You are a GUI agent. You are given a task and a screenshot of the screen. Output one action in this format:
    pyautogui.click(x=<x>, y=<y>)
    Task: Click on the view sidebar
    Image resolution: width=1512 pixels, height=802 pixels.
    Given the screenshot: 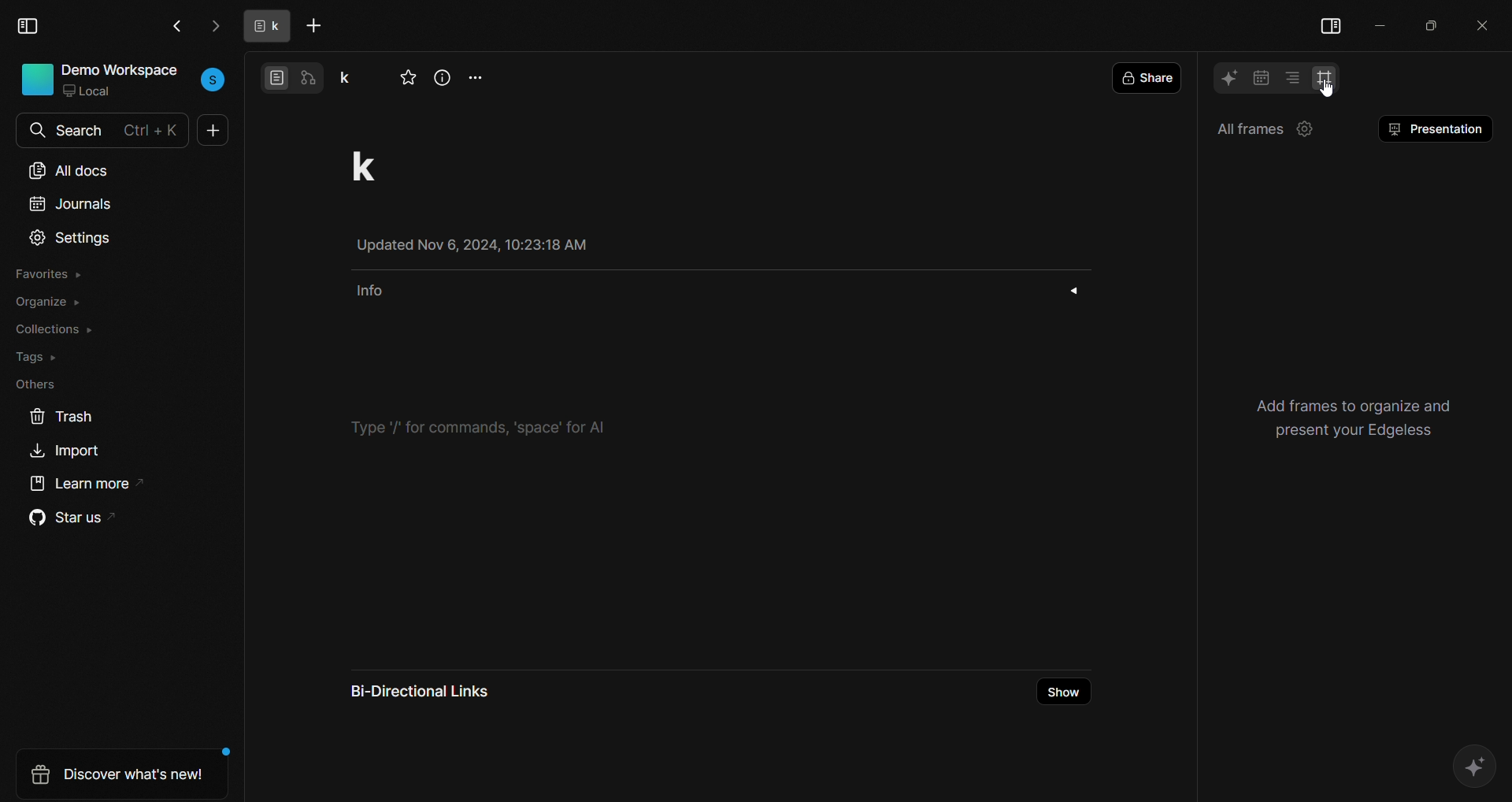 What is the action you would take?
    pyautogui.click(x=30, y=26)
    